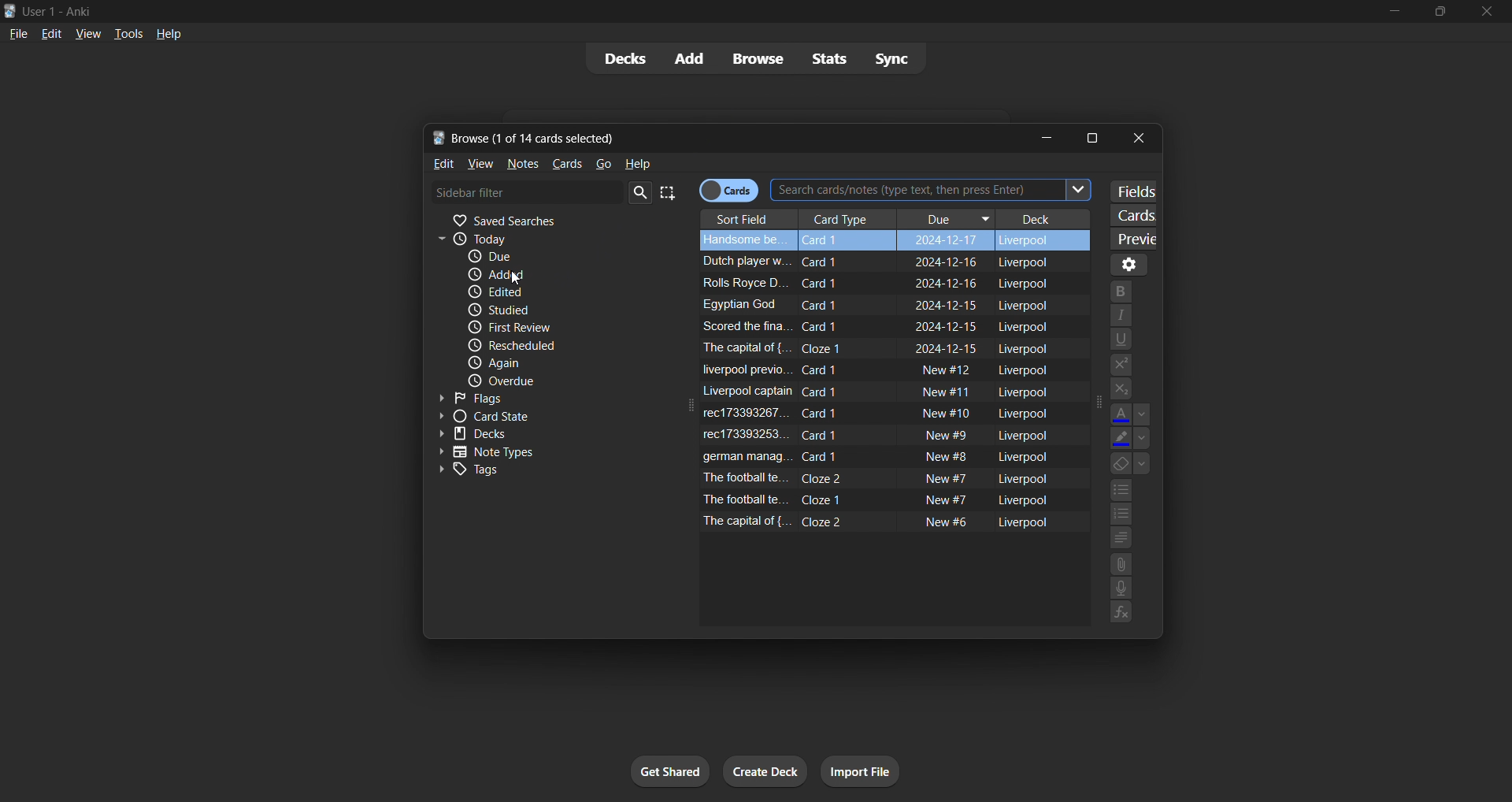  What do you see at coordinates (51, 32) in the screenshot?
I see `edit` at bounding box center [51, 32].